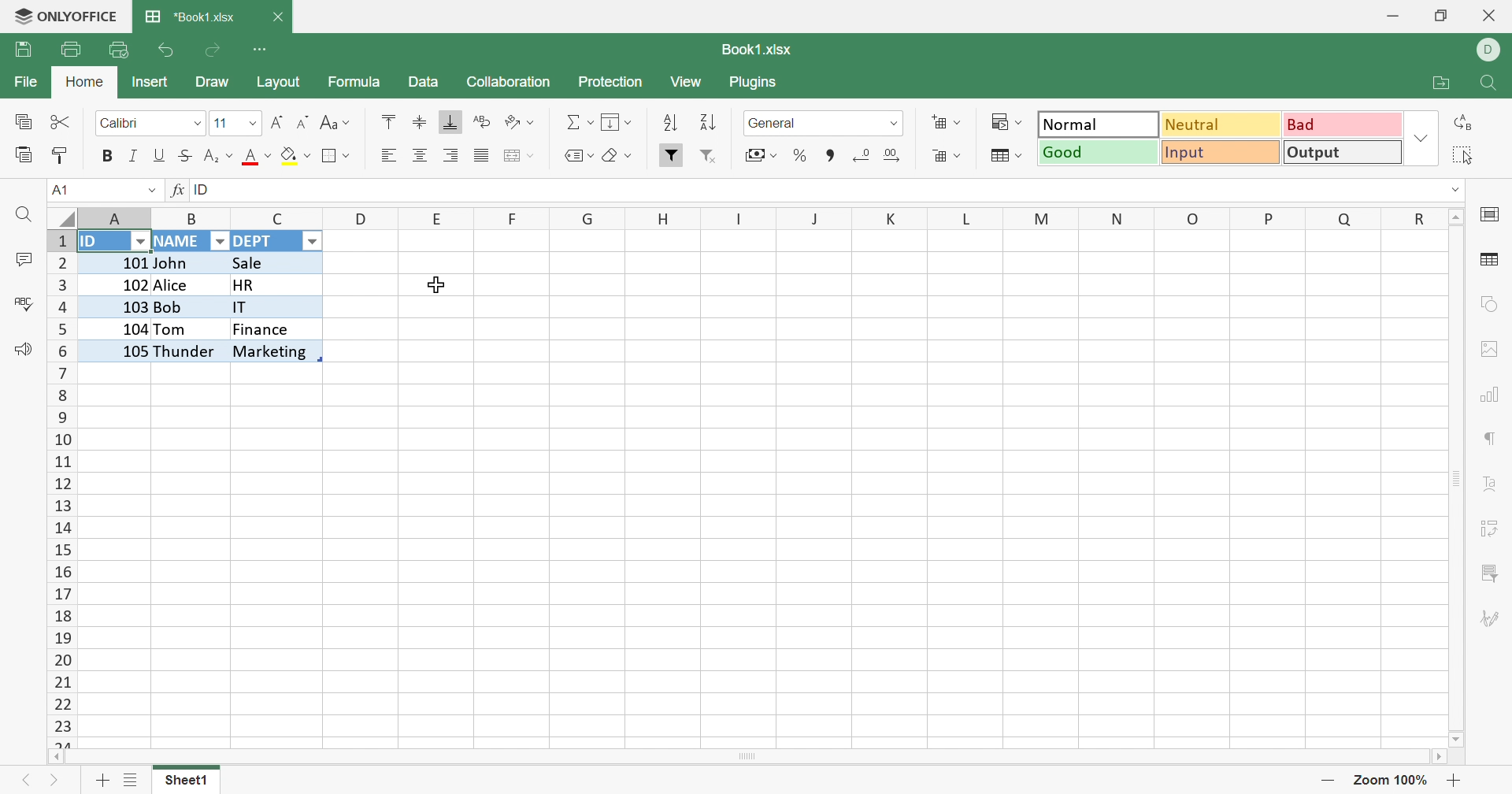 The width and height of the screenshot is (1512, 794). I want to click on Underline, so click(160, 158).